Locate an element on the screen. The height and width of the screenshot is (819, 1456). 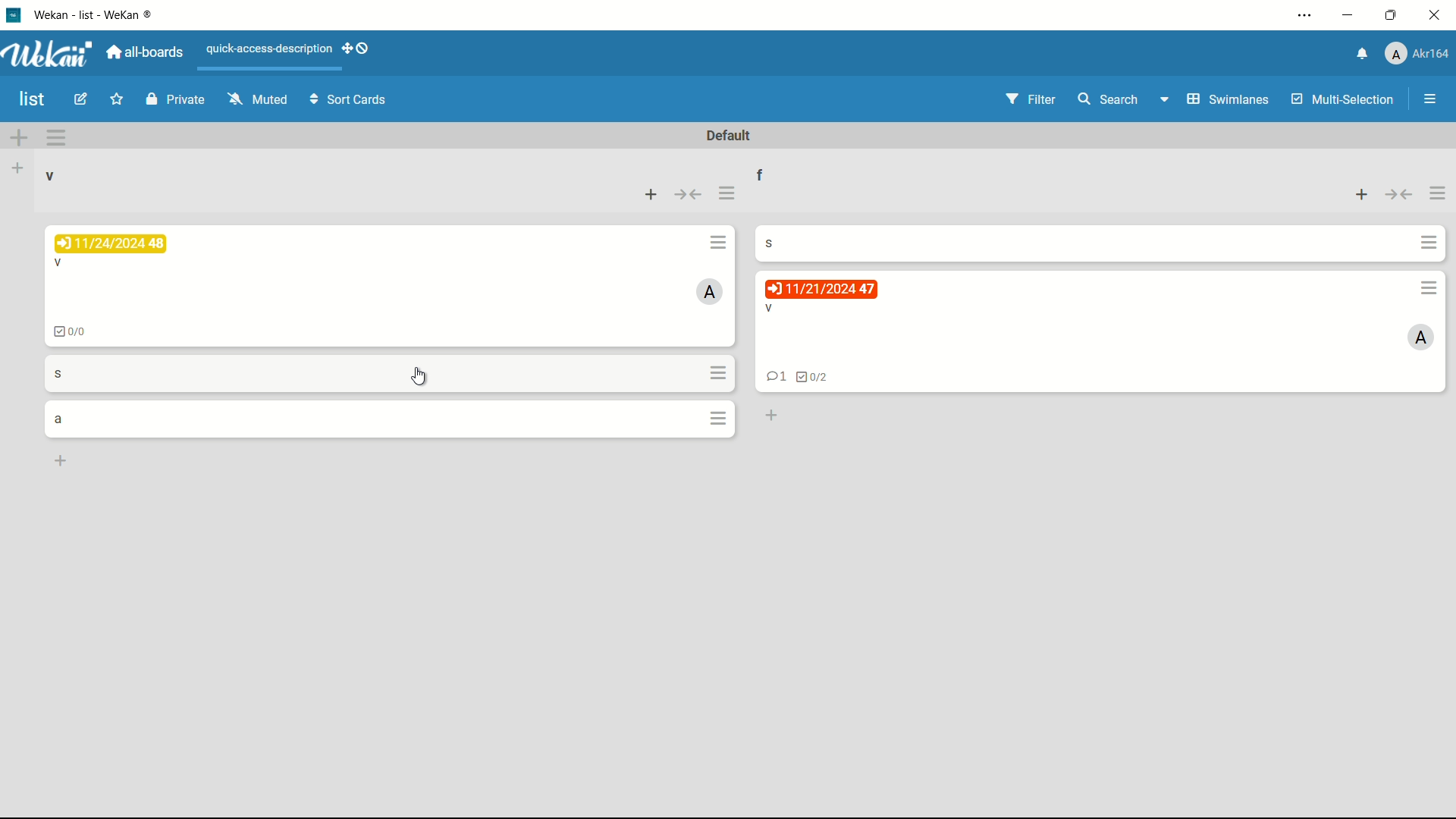
Wekan - WeKan ® is located at coordinates (96, 14).